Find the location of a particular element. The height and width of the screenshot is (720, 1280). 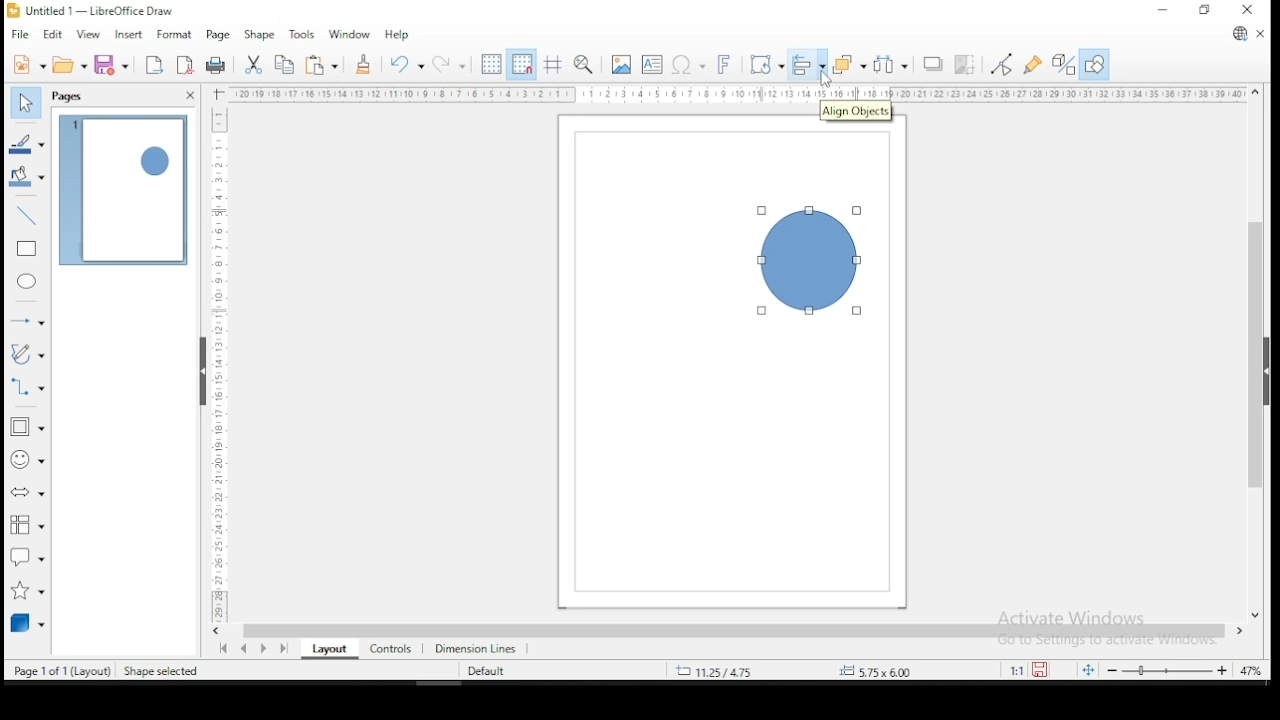

page 1 is located at coordinates (124, 191).